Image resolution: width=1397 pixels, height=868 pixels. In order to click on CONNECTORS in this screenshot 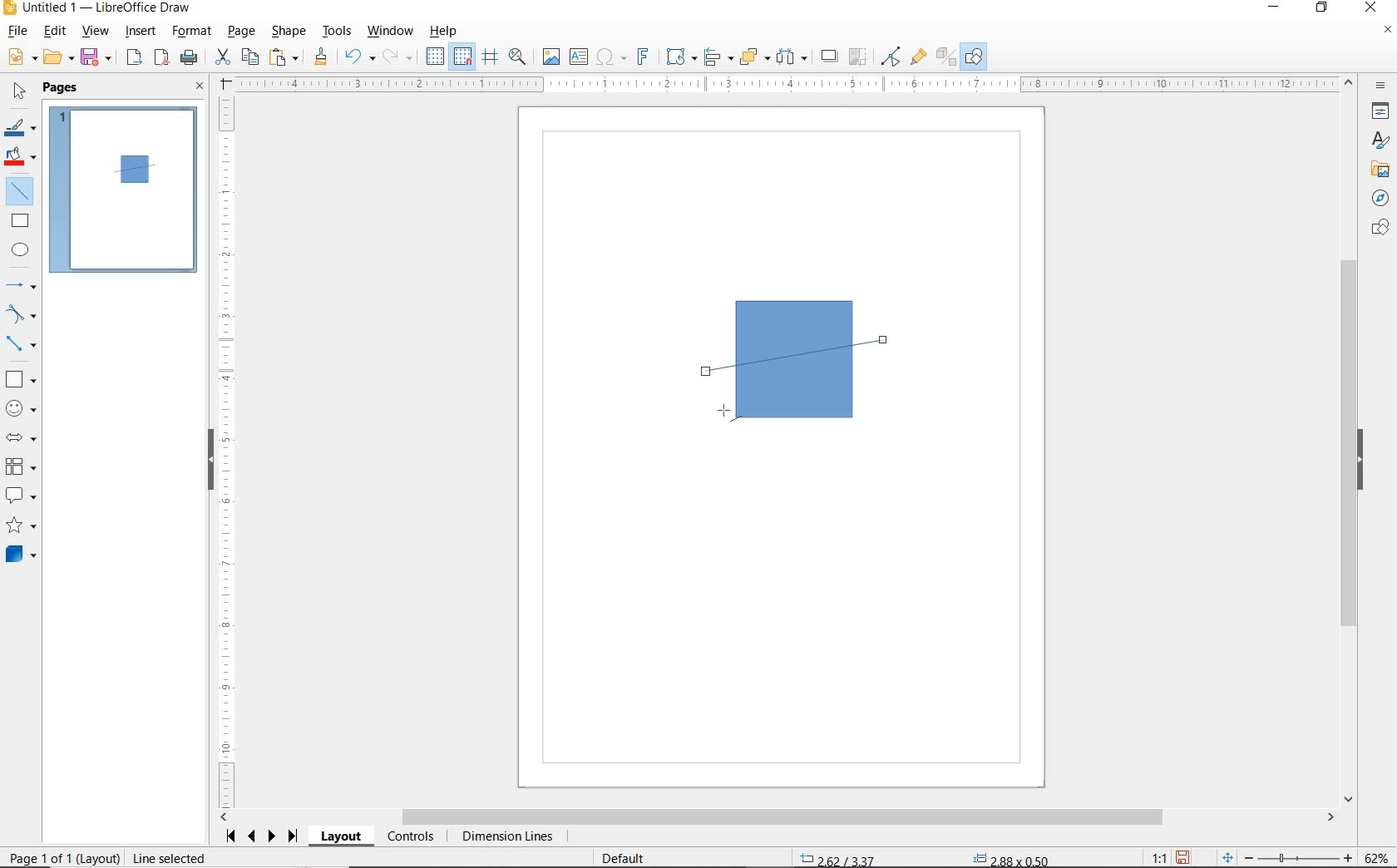, I will do `click(21, 345)`.